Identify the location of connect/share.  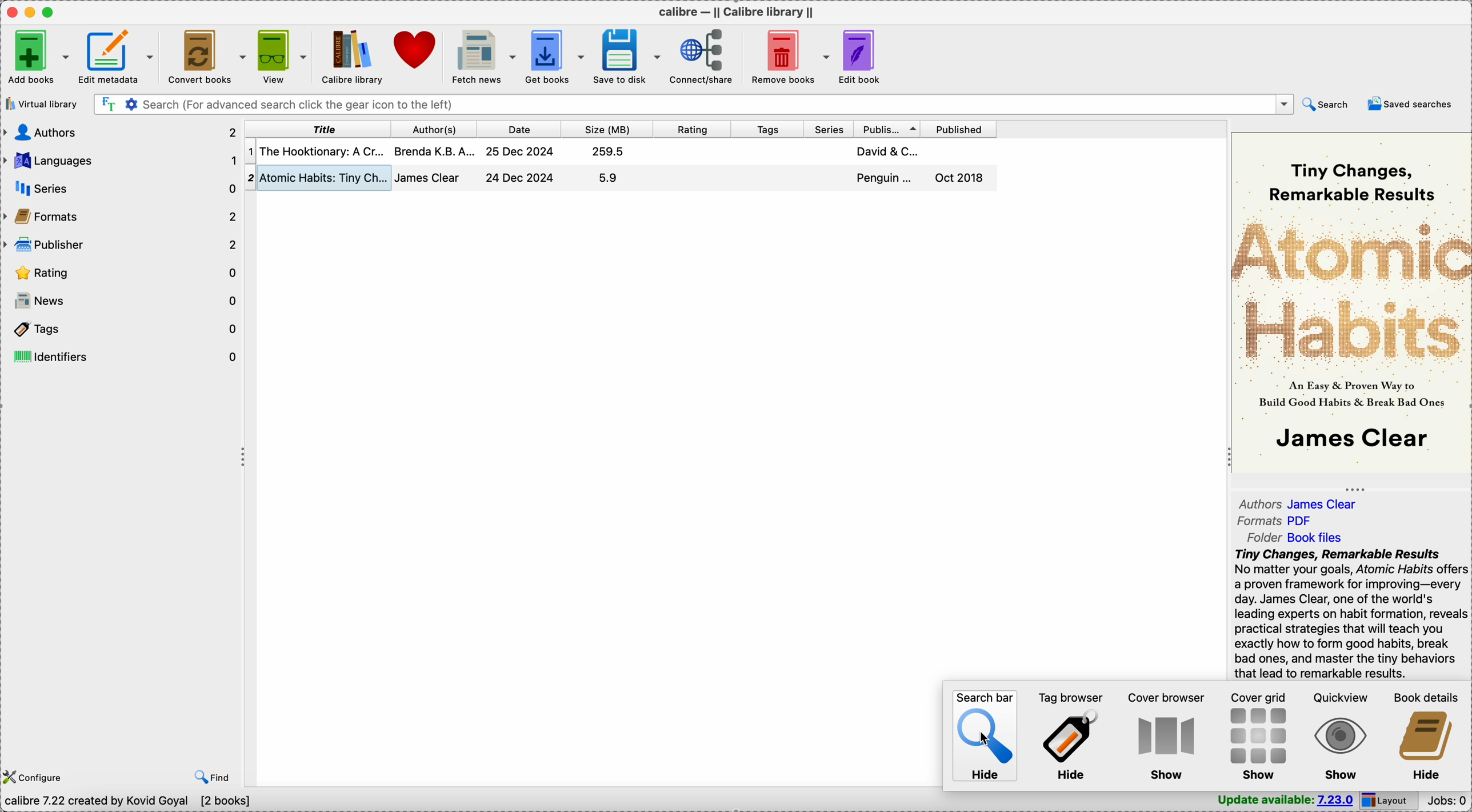
(705, 55).